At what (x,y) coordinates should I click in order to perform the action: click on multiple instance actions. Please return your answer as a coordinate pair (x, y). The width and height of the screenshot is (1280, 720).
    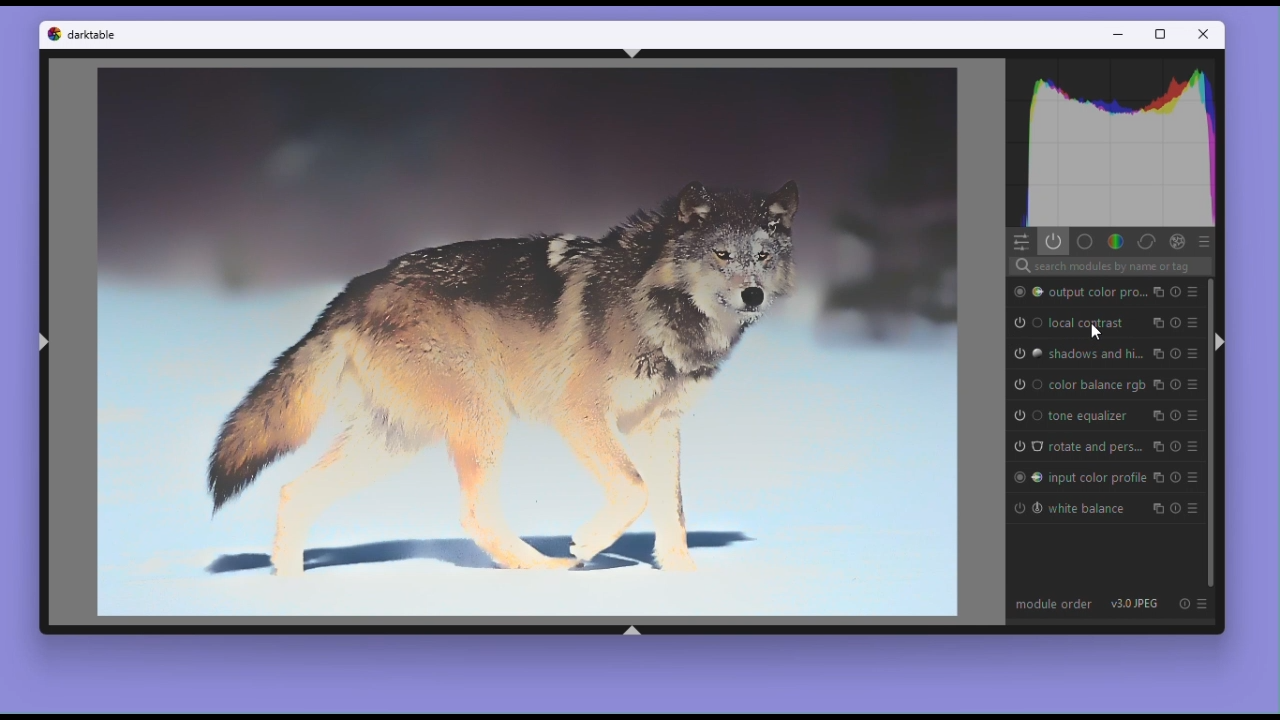
    Looking at the image, I should click on (1159, 323).